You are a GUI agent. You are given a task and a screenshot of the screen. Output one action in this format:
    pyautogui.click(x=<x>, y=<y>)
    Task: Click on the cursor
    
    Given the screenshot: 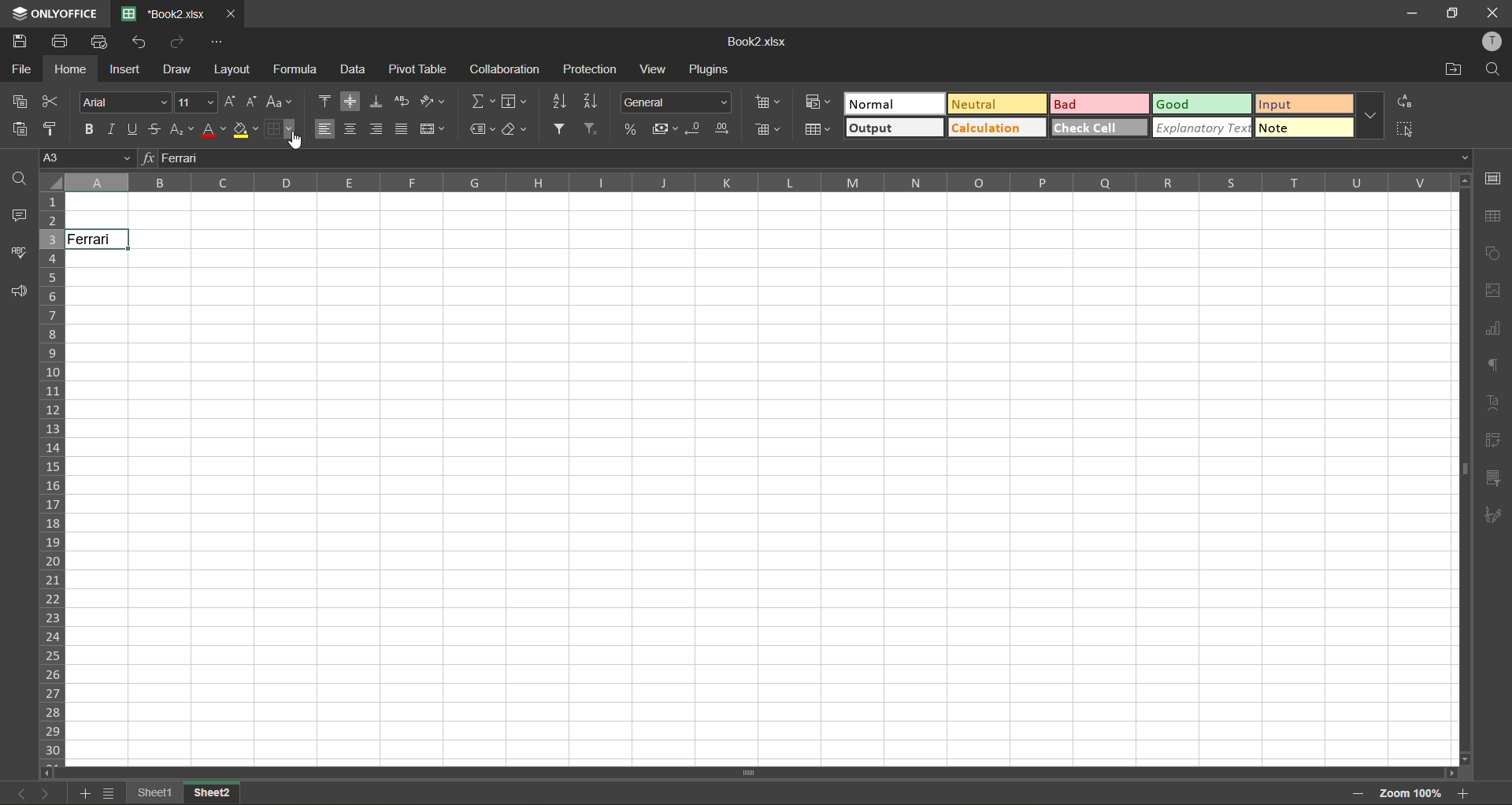 What is the action you would take?
    pyautogui.click(x=297, y=140)
    